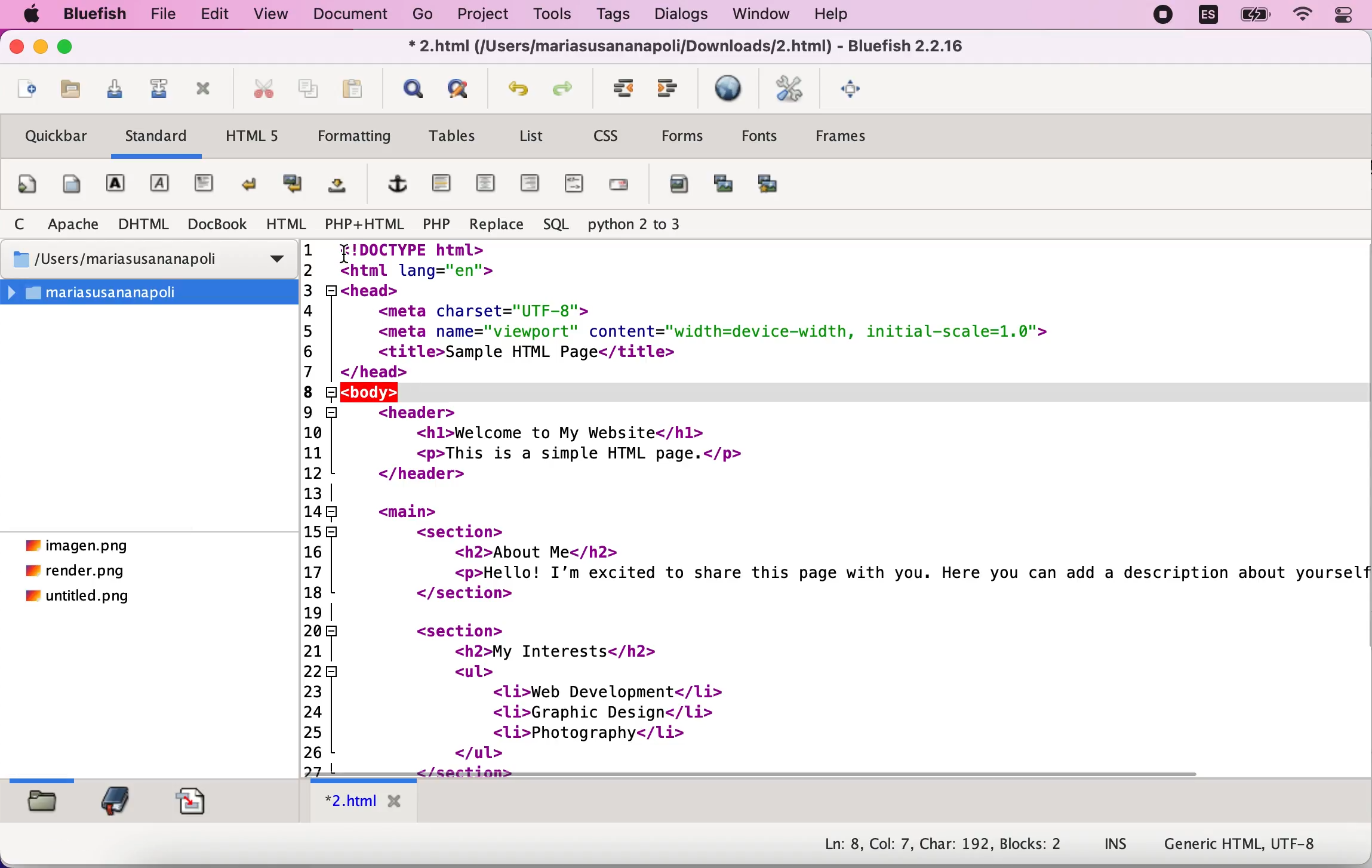 The image size is (1372, 868). I want to click on html, so click(285, 224).